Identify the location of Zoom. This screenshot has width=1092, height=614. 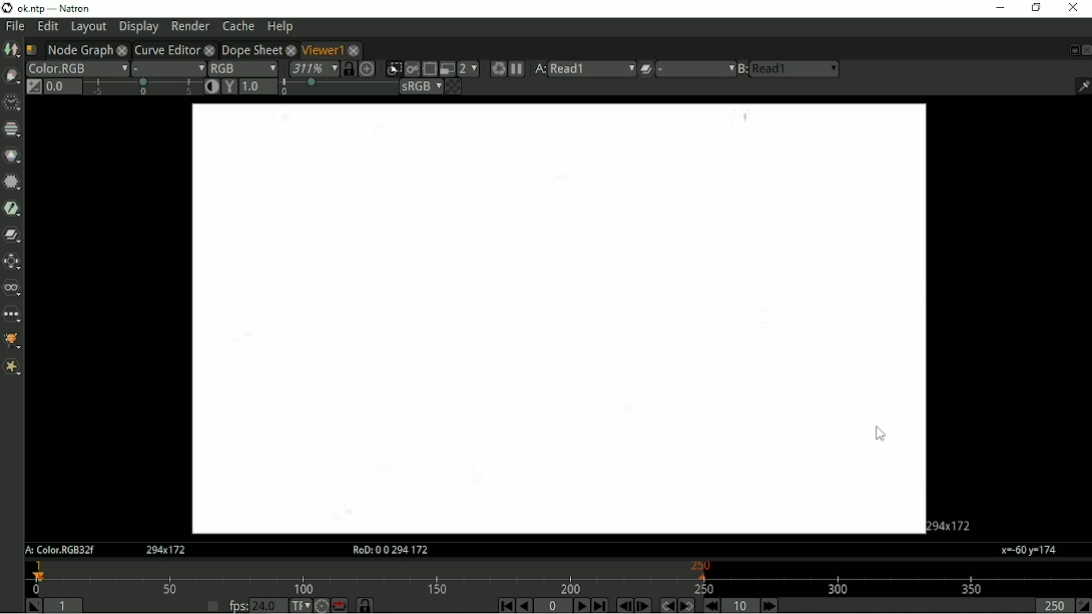
(313, 68).